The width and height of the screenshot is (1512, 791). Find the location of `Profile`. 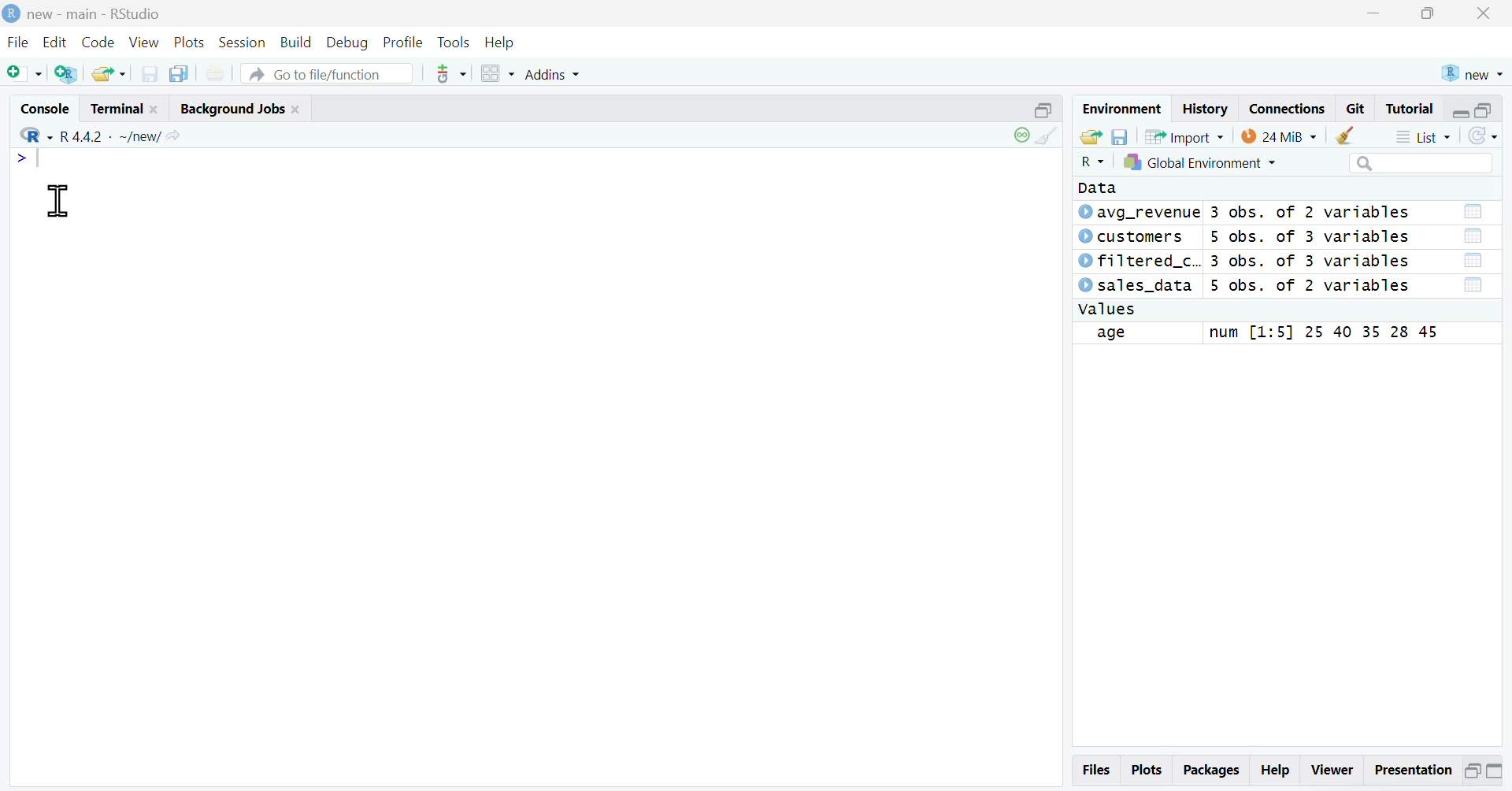

Profile is located at coordinates (403, 42).